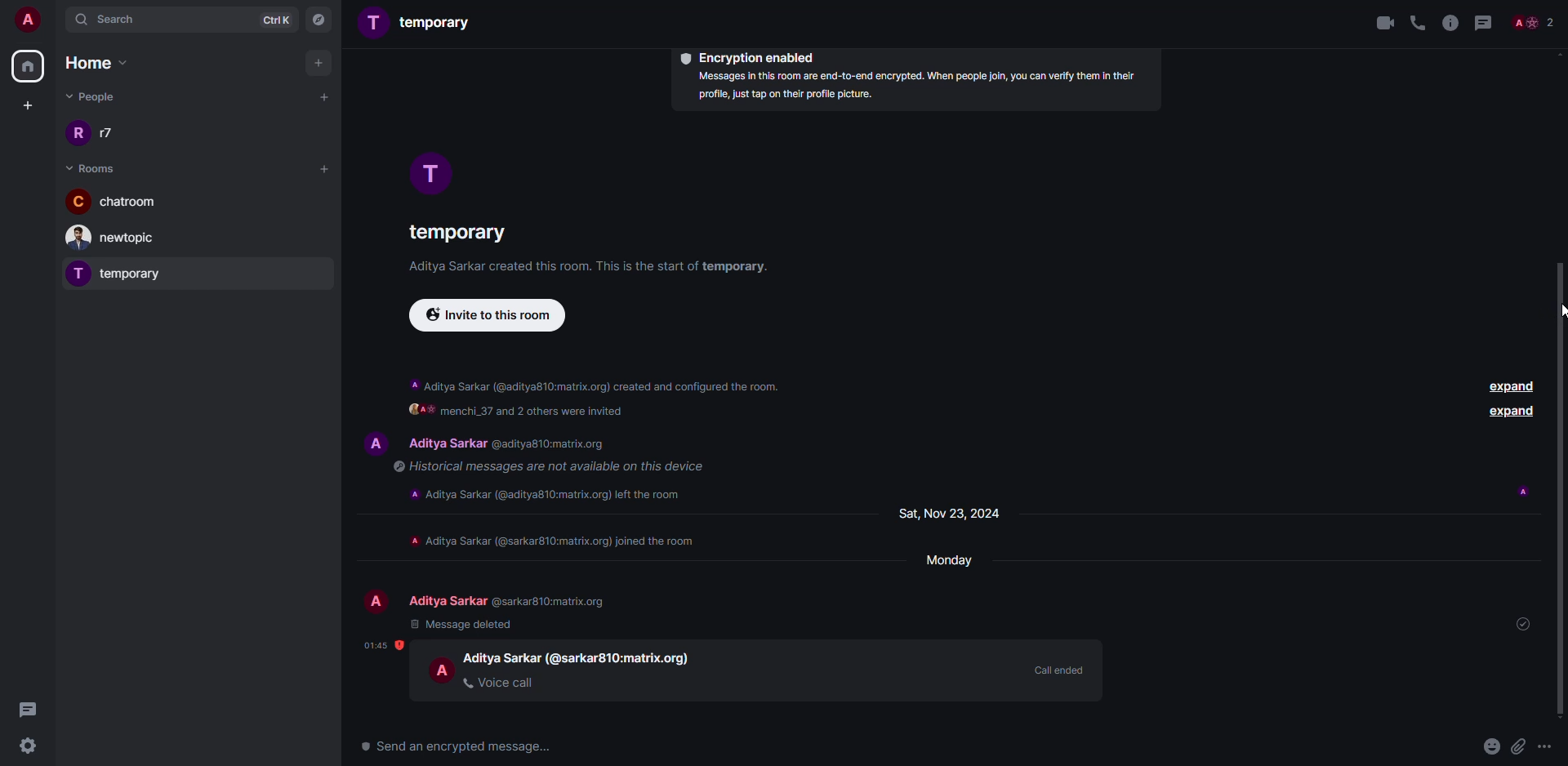 Image resolution: width=1568 pixels, height=766 pixels. Describe the element at coordinates (118, 238) in the screenshot. I see `newtopic` at that location.